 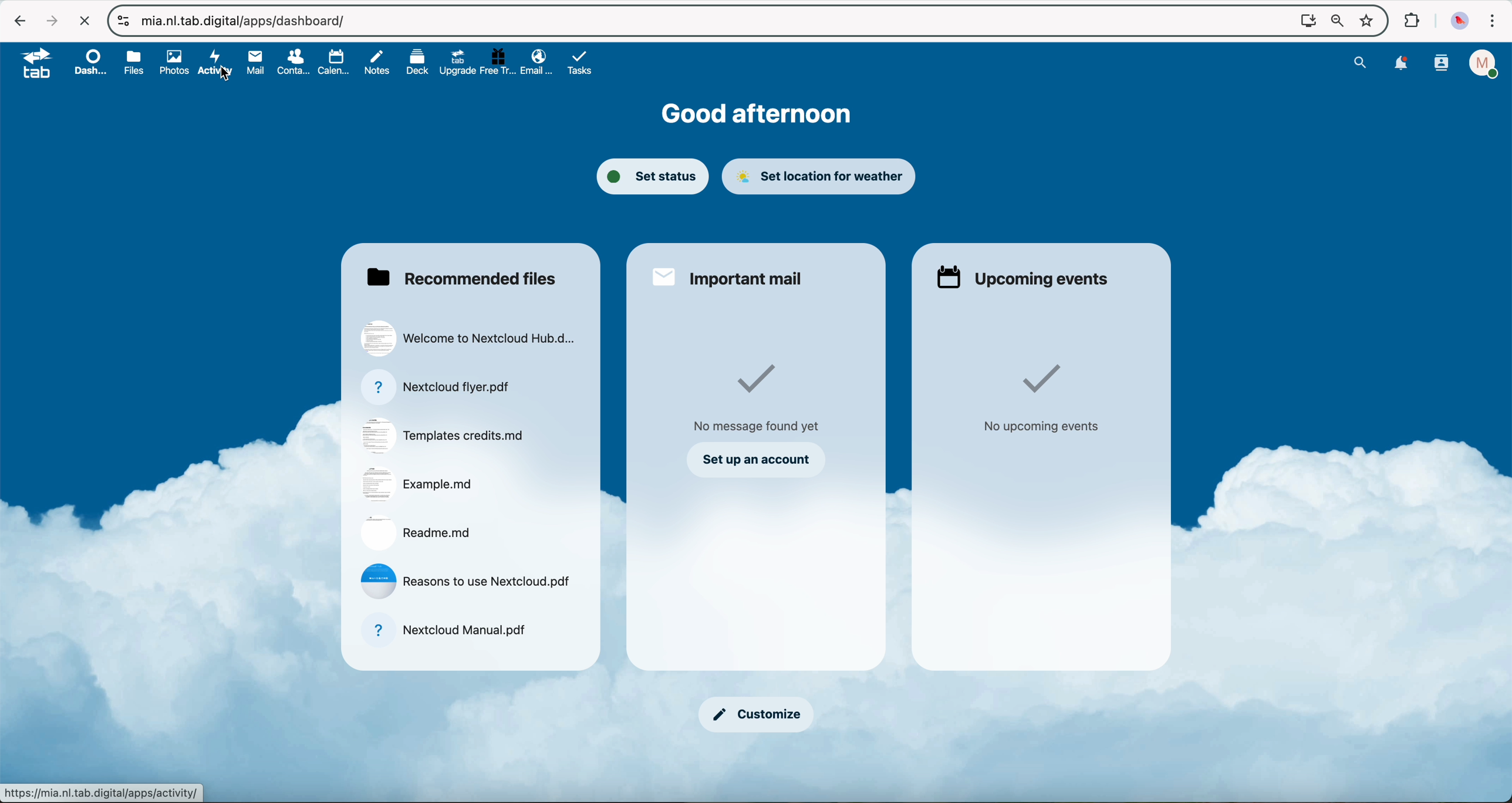 What do you see at coordinates (14, 21) in the screenshot?
I see `navigate back` at bounding box center [14, 21].